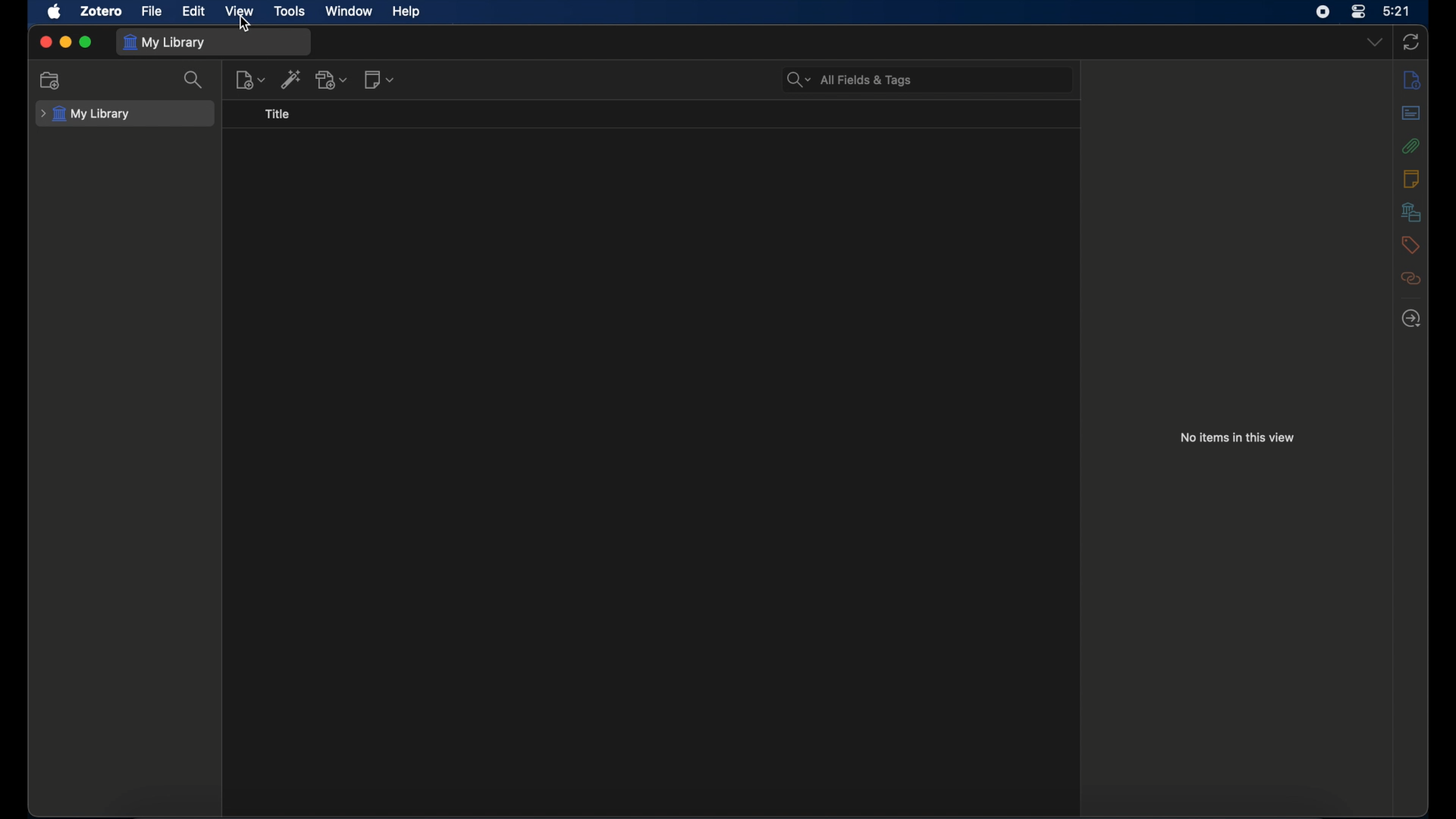 The width and height of the screenshot is (1456, 819). What do you see at coordinates (1411, 319) in the screenshot?
I see `locate` at bounding box center [1411, 319].